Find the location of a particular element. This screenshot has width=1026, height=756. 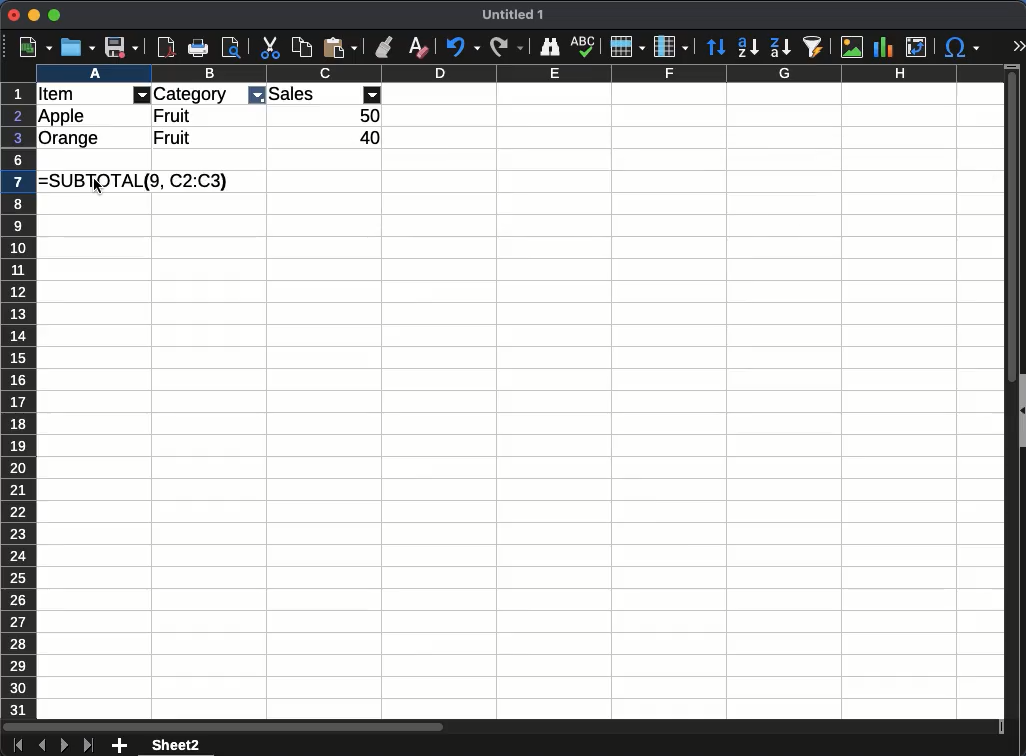

finder is located at coordinates (550, 47).